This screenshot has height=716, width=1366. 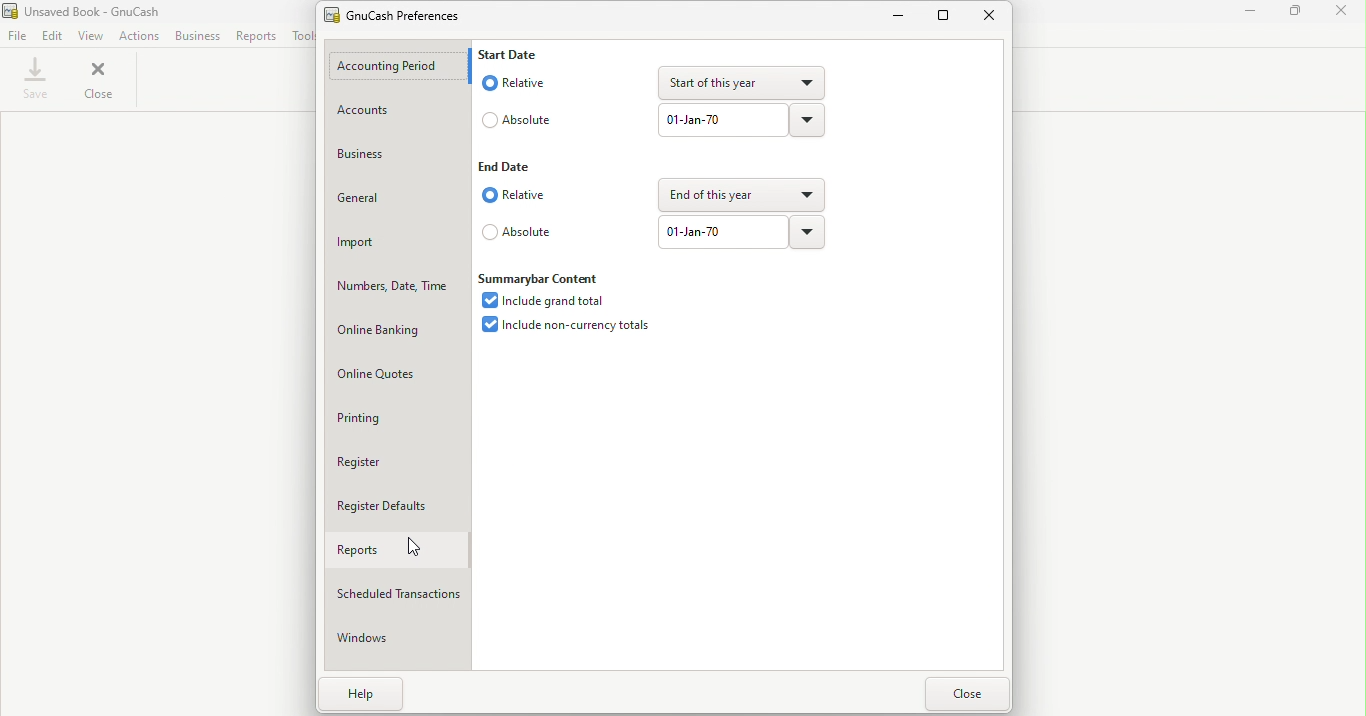 I want to click on Help, so click(x=374, y=695).